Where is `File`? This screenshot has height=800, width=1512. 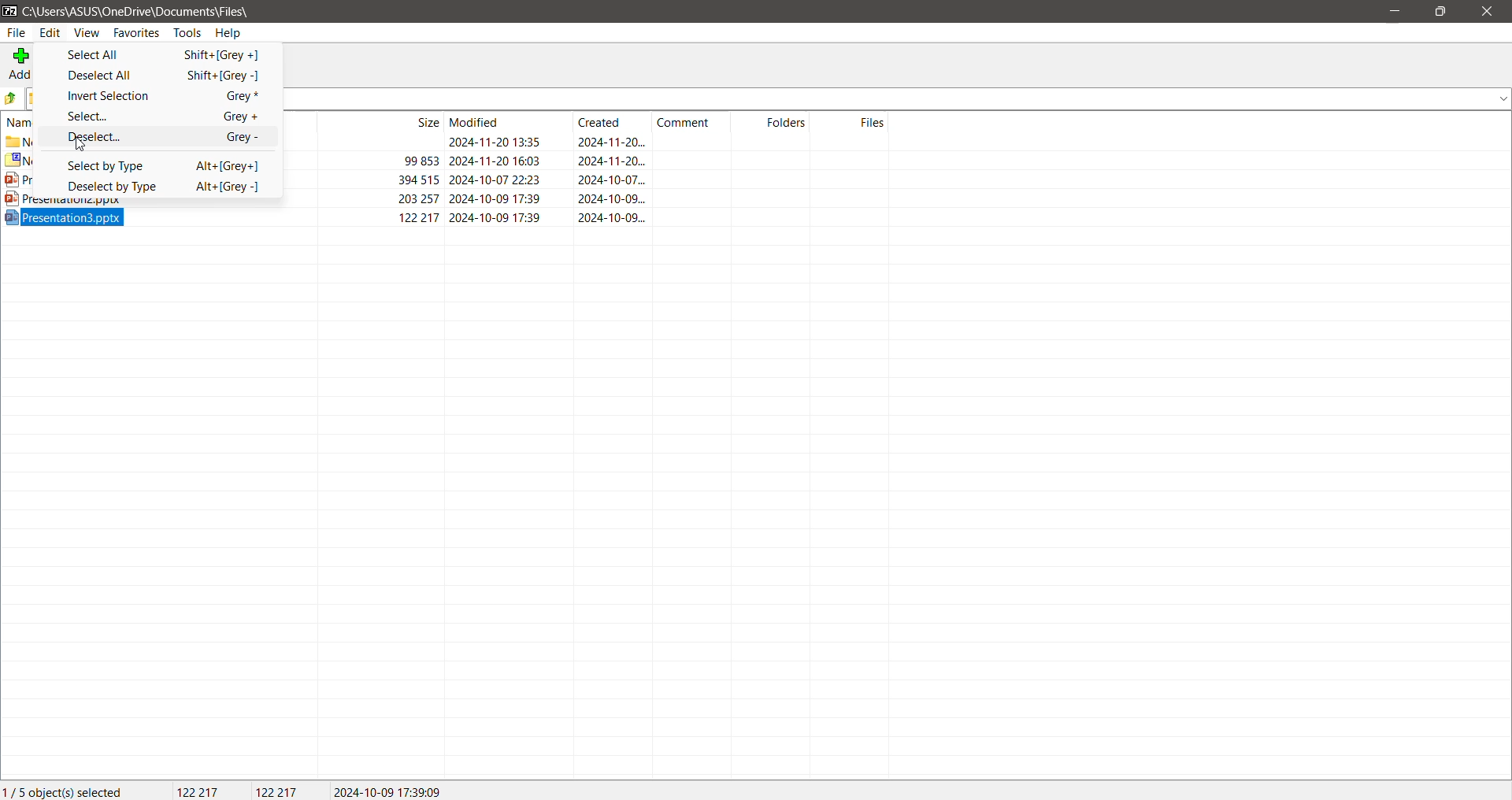 File is located at coordinates (18, 33).